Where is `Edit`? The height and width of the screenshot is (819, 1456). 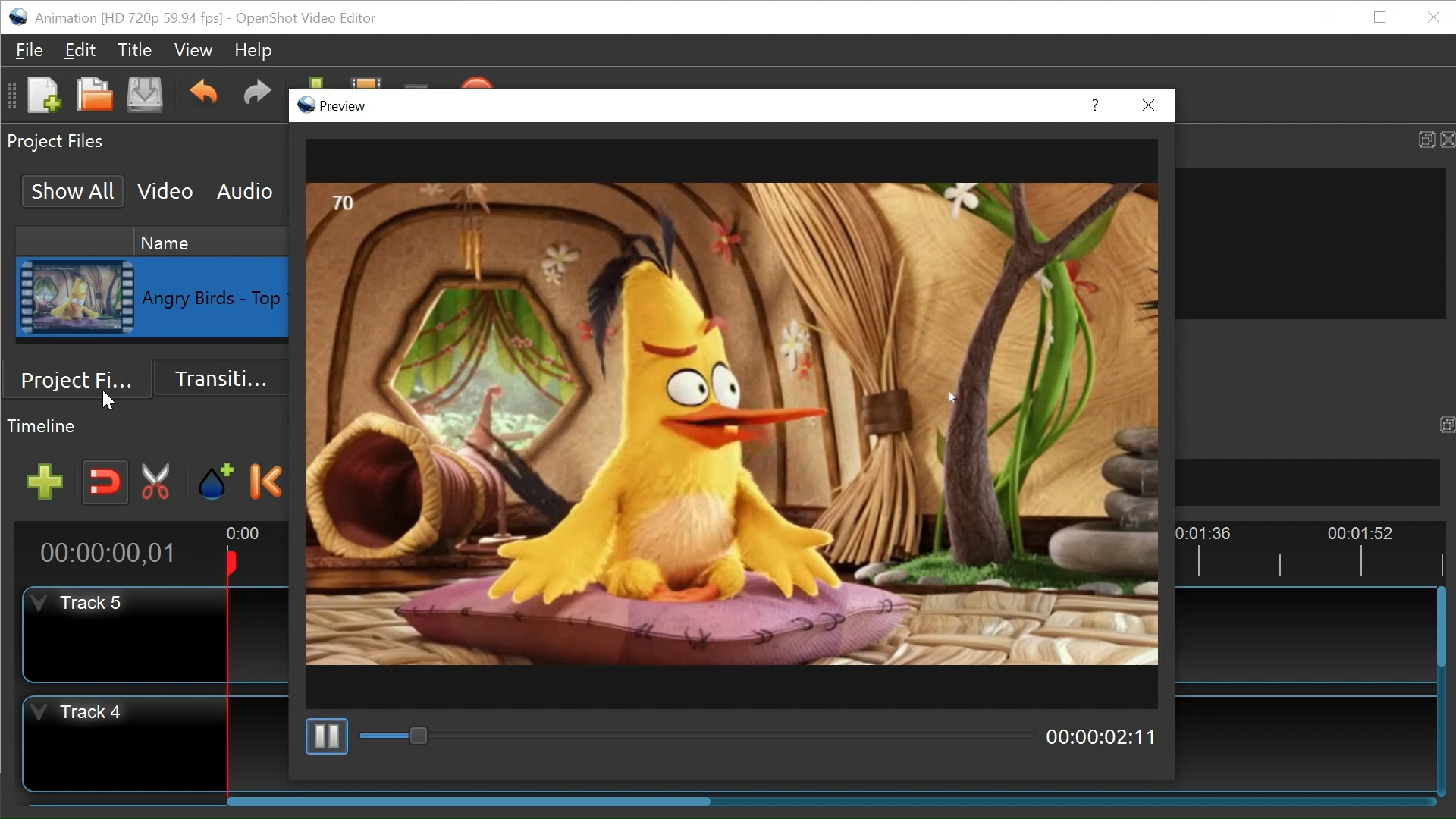
Edit is located at coordinates (81, 51).